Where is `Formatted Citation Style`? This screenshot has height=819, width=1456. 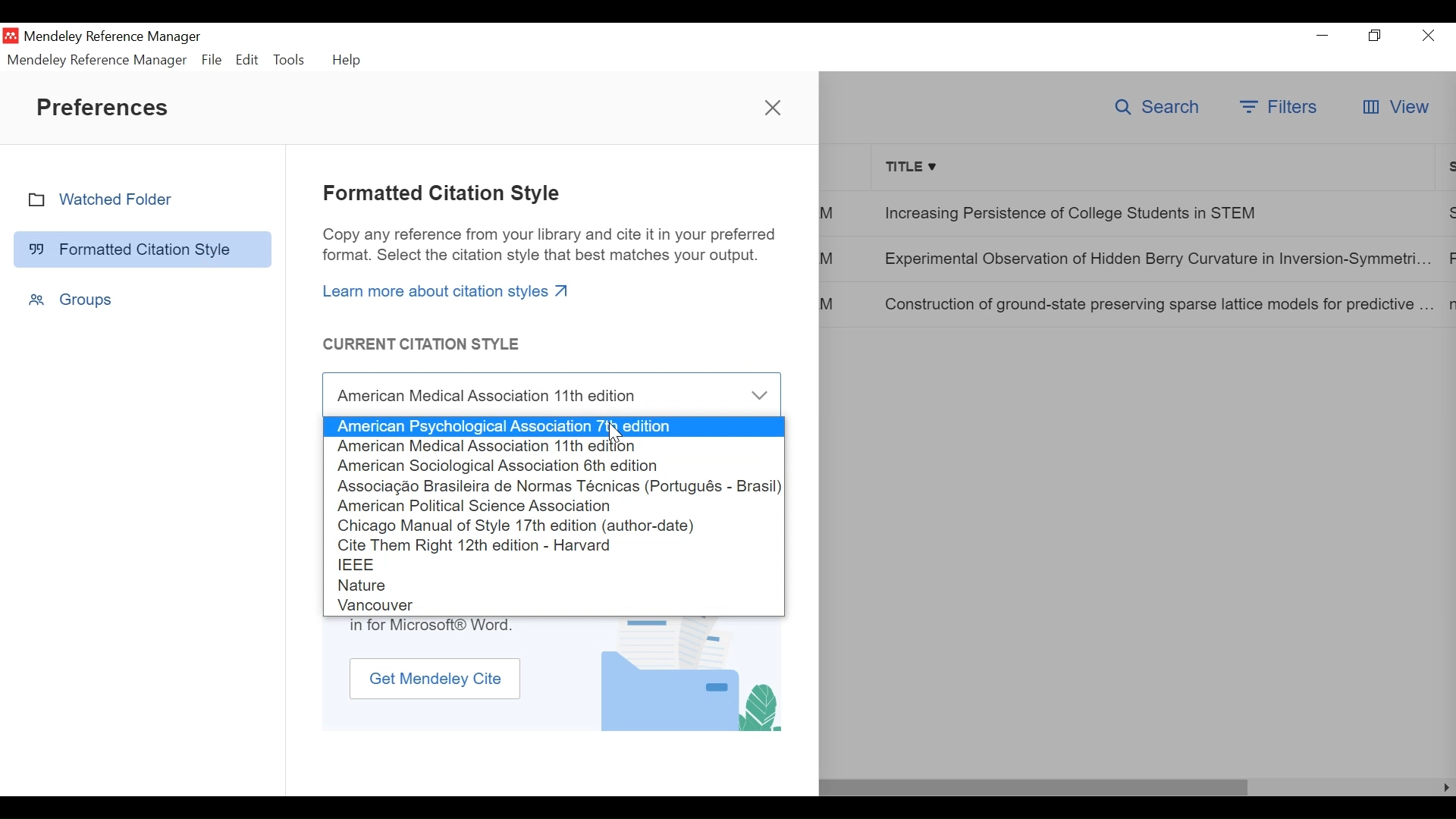
Formatted Citation Style is located at coordinates (143, 248).